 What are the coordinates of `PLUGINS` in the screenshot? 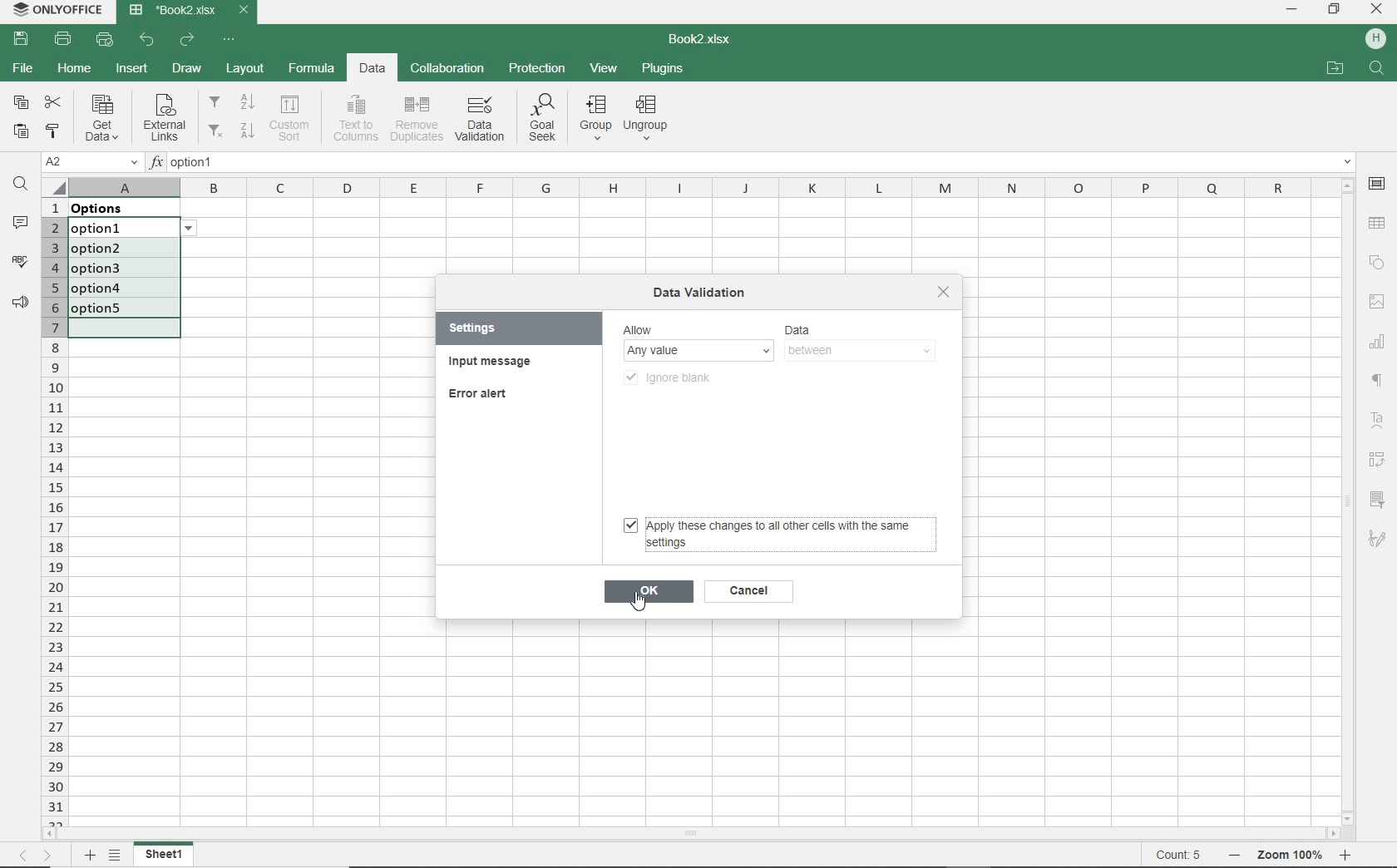 It's located at (663, 70).